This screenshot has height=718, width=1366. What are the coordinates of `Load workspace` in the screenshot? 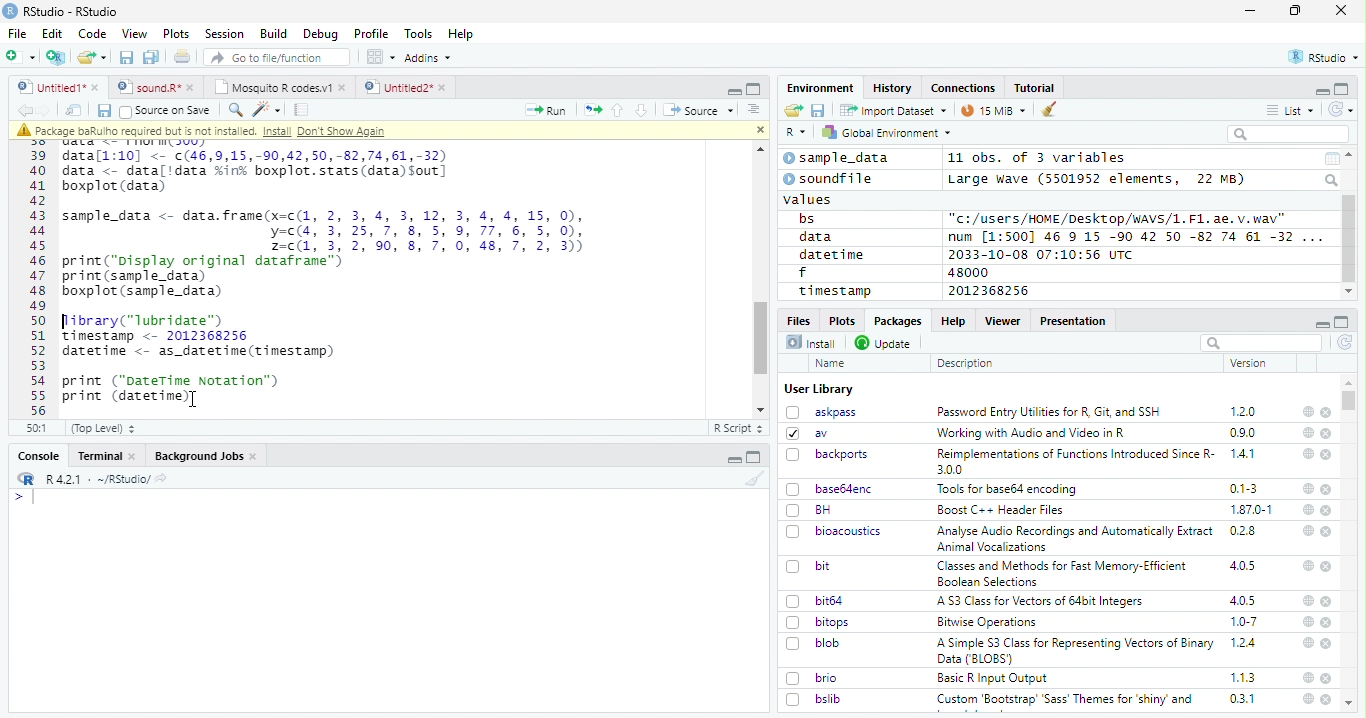 It's located at (794, 111).